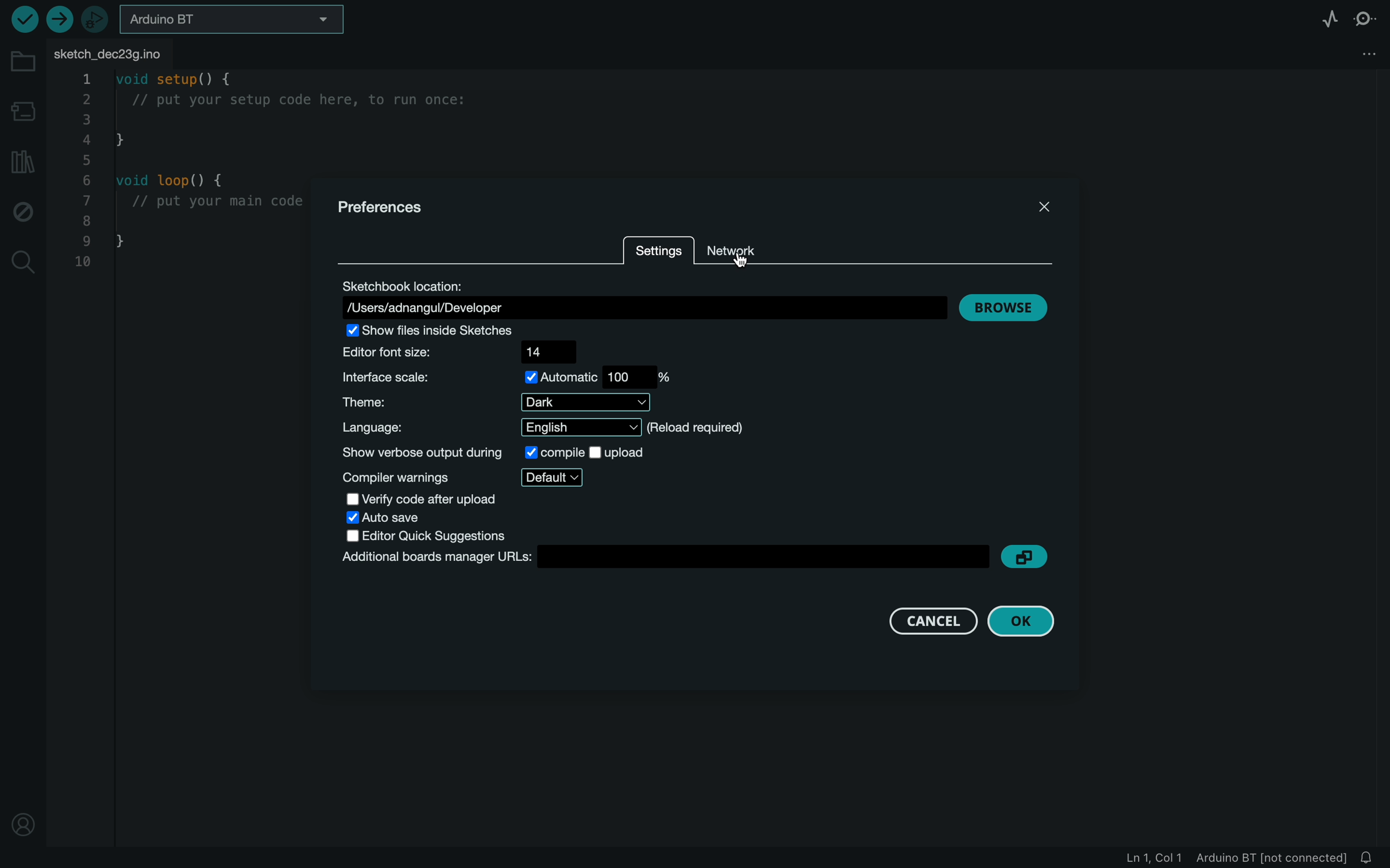 This screenshot has height=868, width=1390. Describe the element at coordinates (24, 212) in the screenshot. I see `debug` at that location.